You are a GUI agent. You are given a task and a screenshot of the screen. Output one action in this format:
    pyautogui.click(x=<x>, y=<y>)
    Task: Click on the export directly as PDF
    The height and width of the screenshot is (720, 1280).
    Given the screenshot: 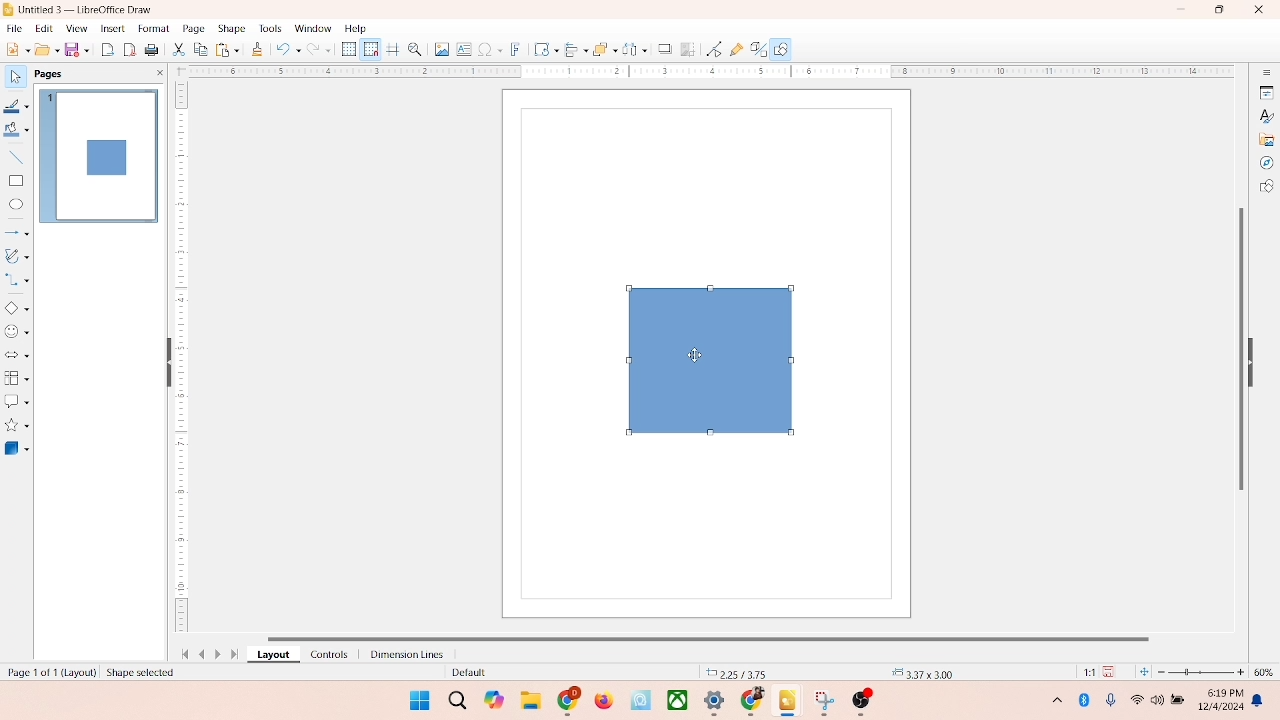 What is the action you would take?
    pyautogui.click(x=131, y=49)
    